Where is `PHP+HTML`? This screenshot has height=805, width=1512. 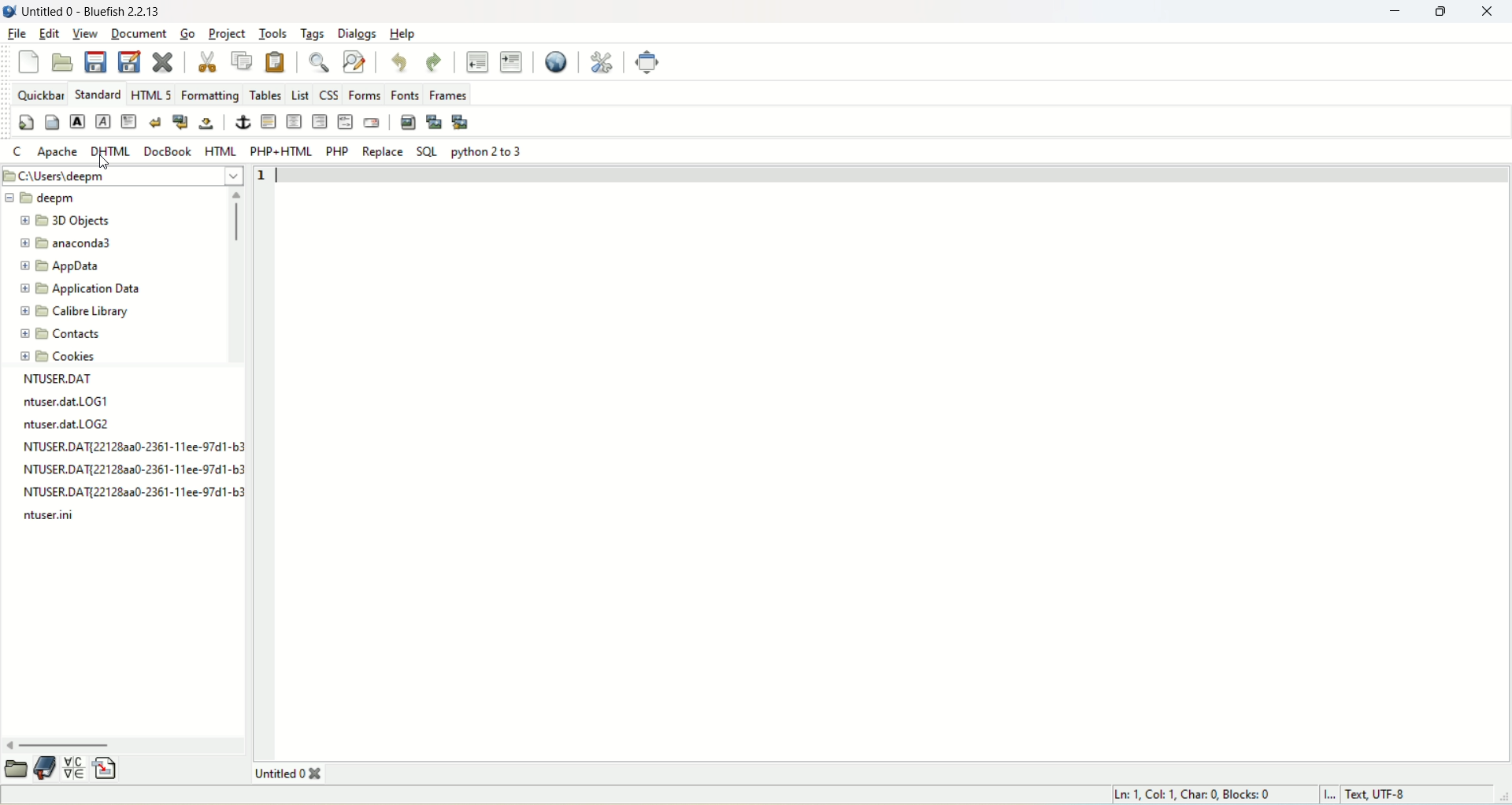 PHP+HTML is located at coordinates (280, 151).